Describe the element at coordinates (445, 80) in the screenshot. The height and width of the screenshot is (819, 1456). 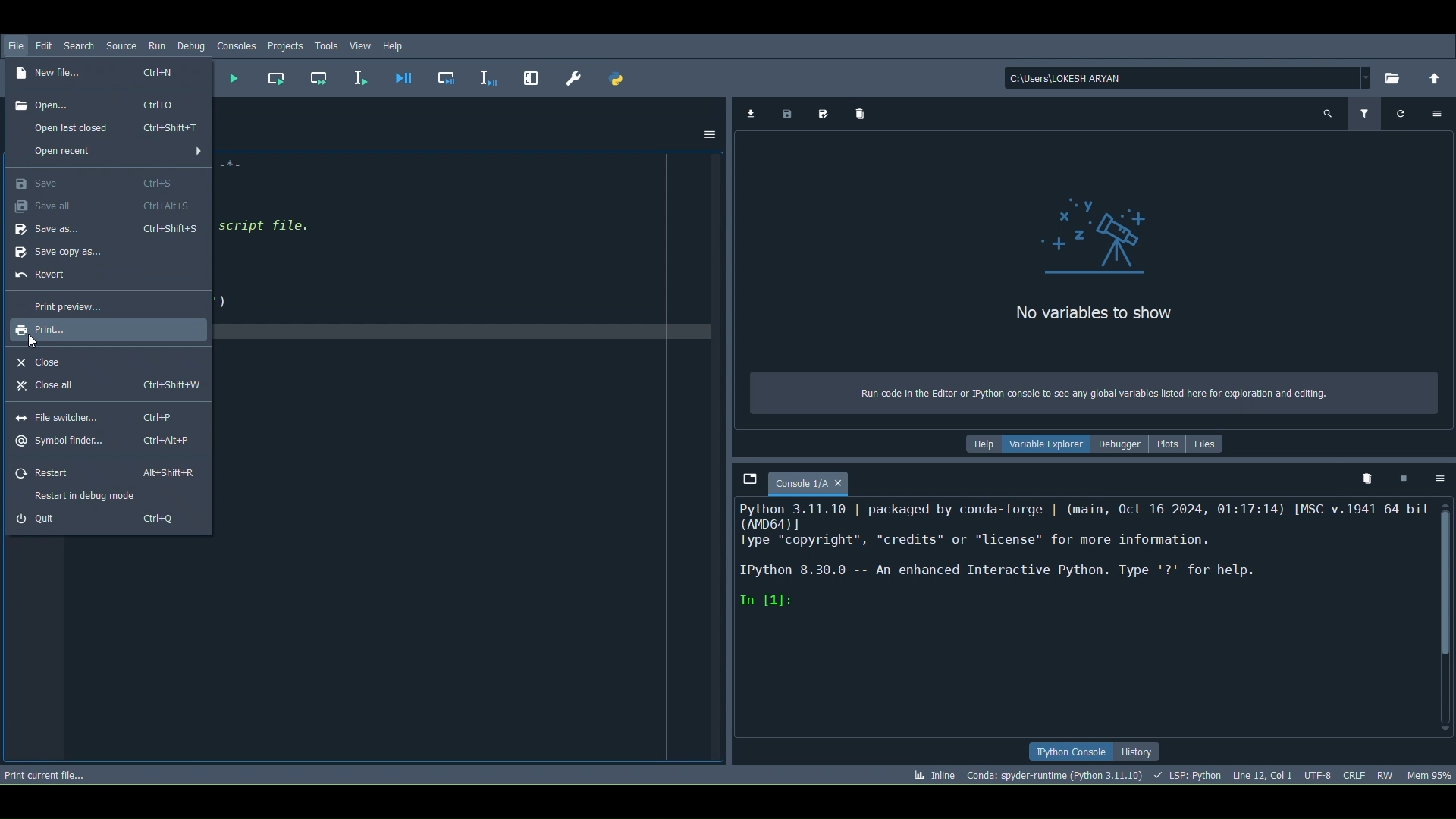
I see `Debug cell` at that location.